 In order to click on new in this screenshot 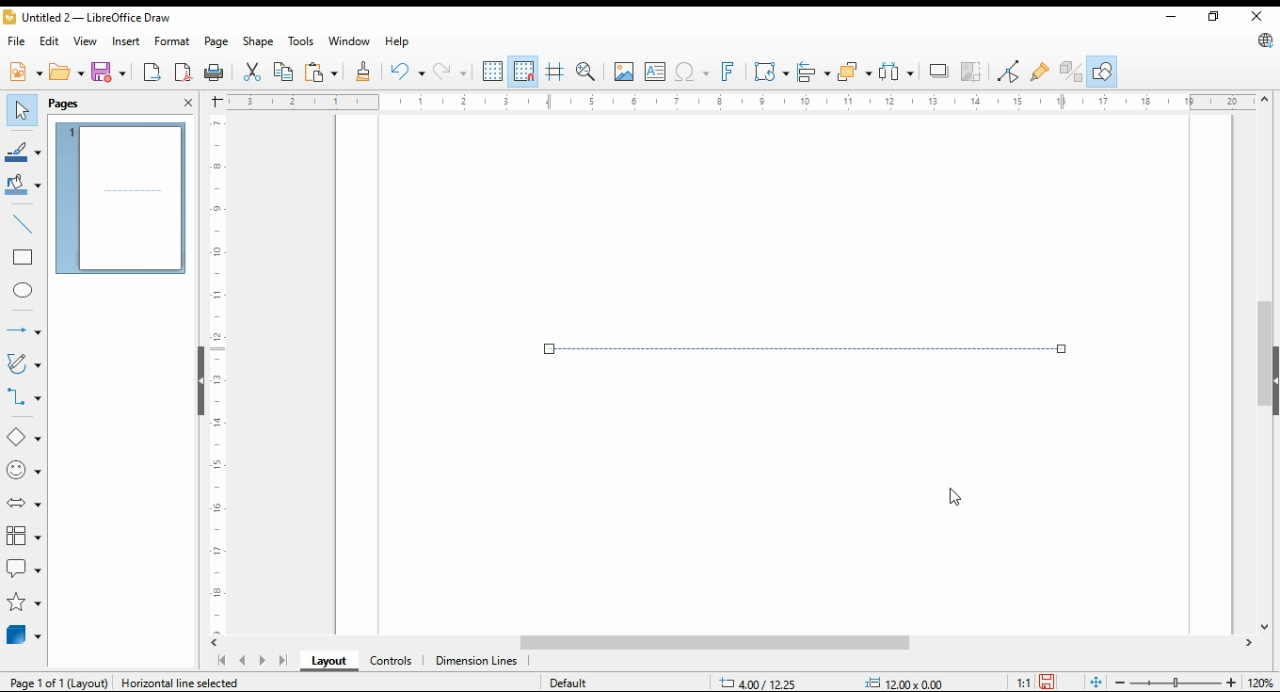, I will do `click(25, 70)`.